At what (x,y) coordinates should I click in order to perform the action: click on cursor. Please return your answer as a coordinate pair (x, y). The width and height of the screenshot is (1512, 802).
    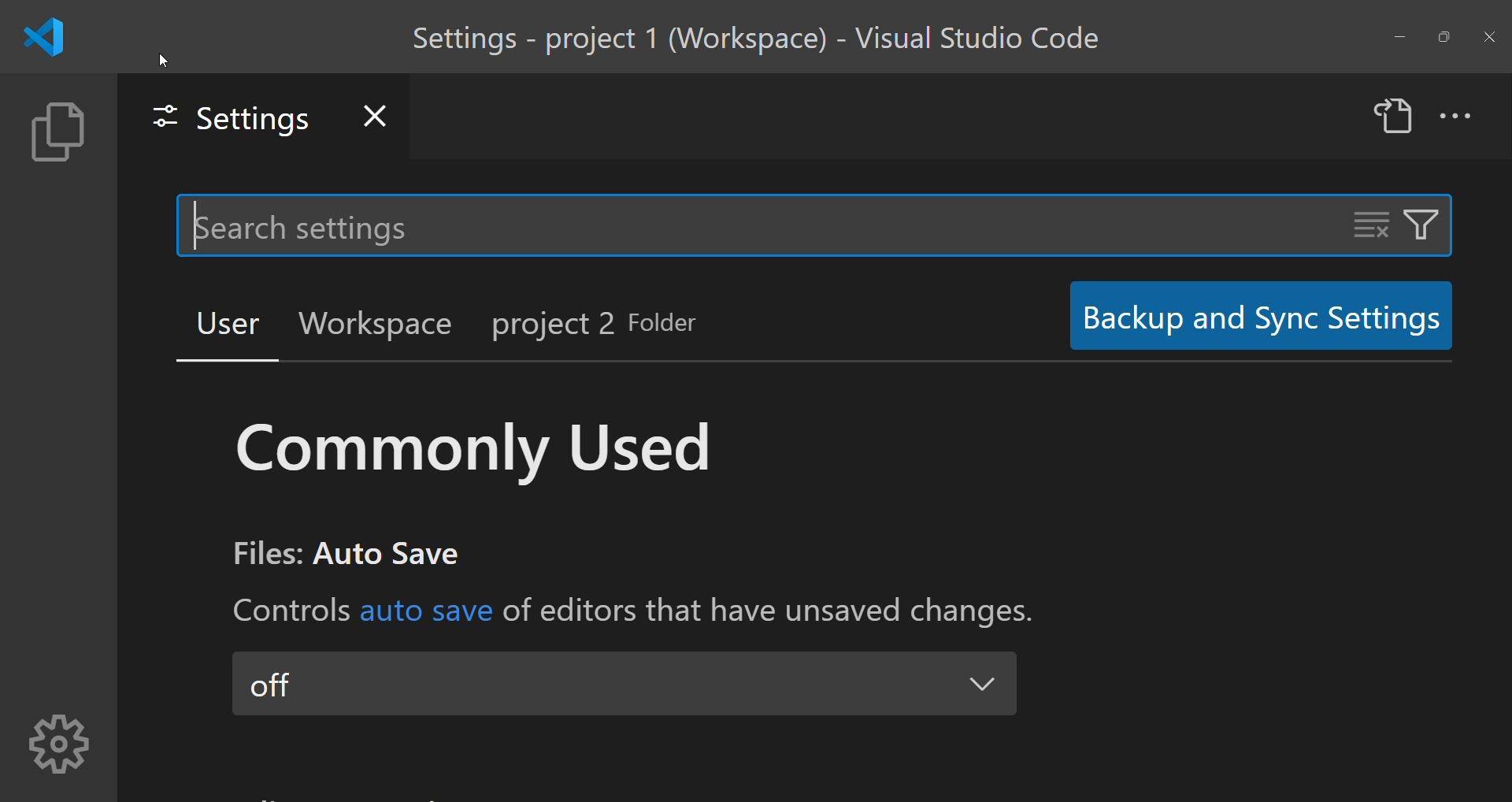
    Looking at the image, I should click on (176, 60).